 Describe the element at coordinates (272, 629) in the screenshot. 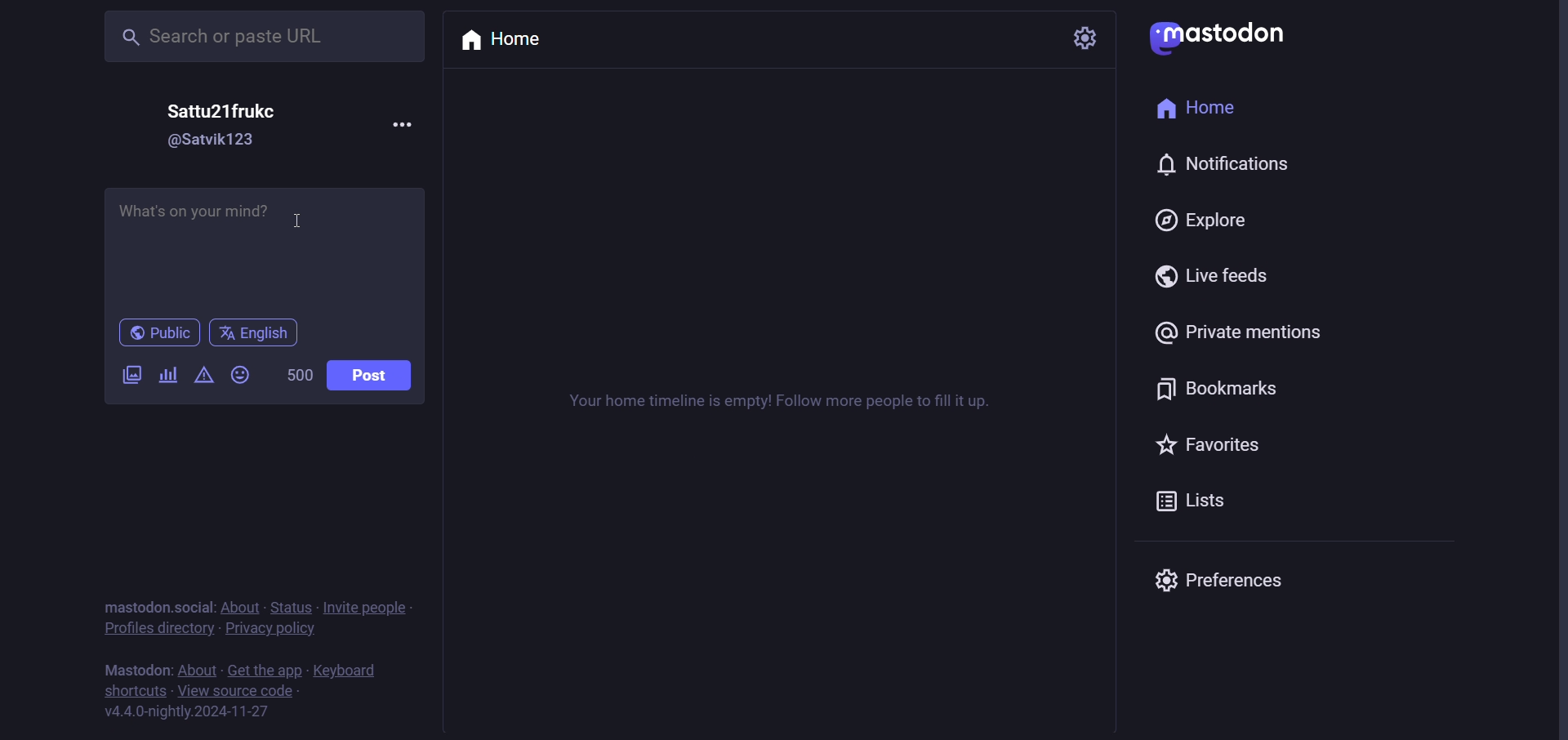

I see `privacy policy` at that location.